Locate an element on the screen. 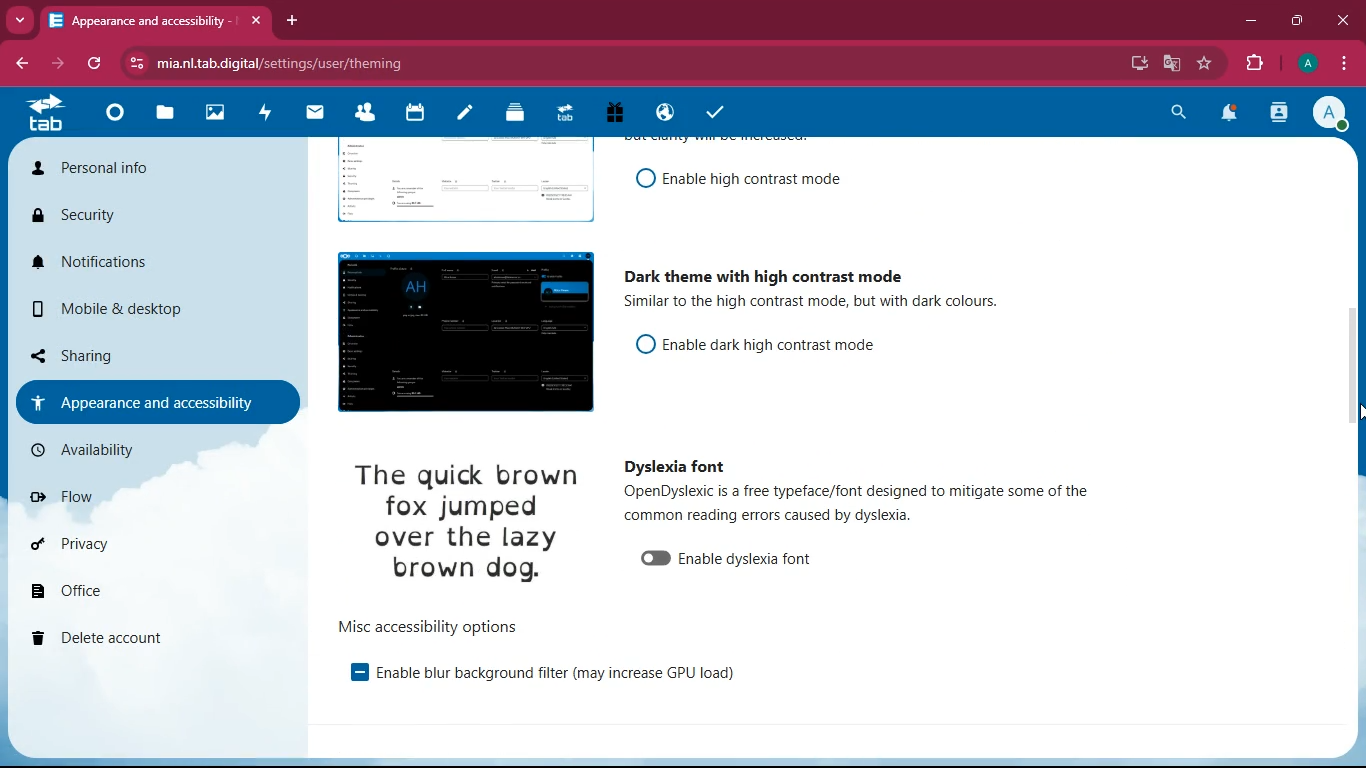 Image resolution: width=1366 pixels, height=768 pixels. images is located at coordinates (219, 111).